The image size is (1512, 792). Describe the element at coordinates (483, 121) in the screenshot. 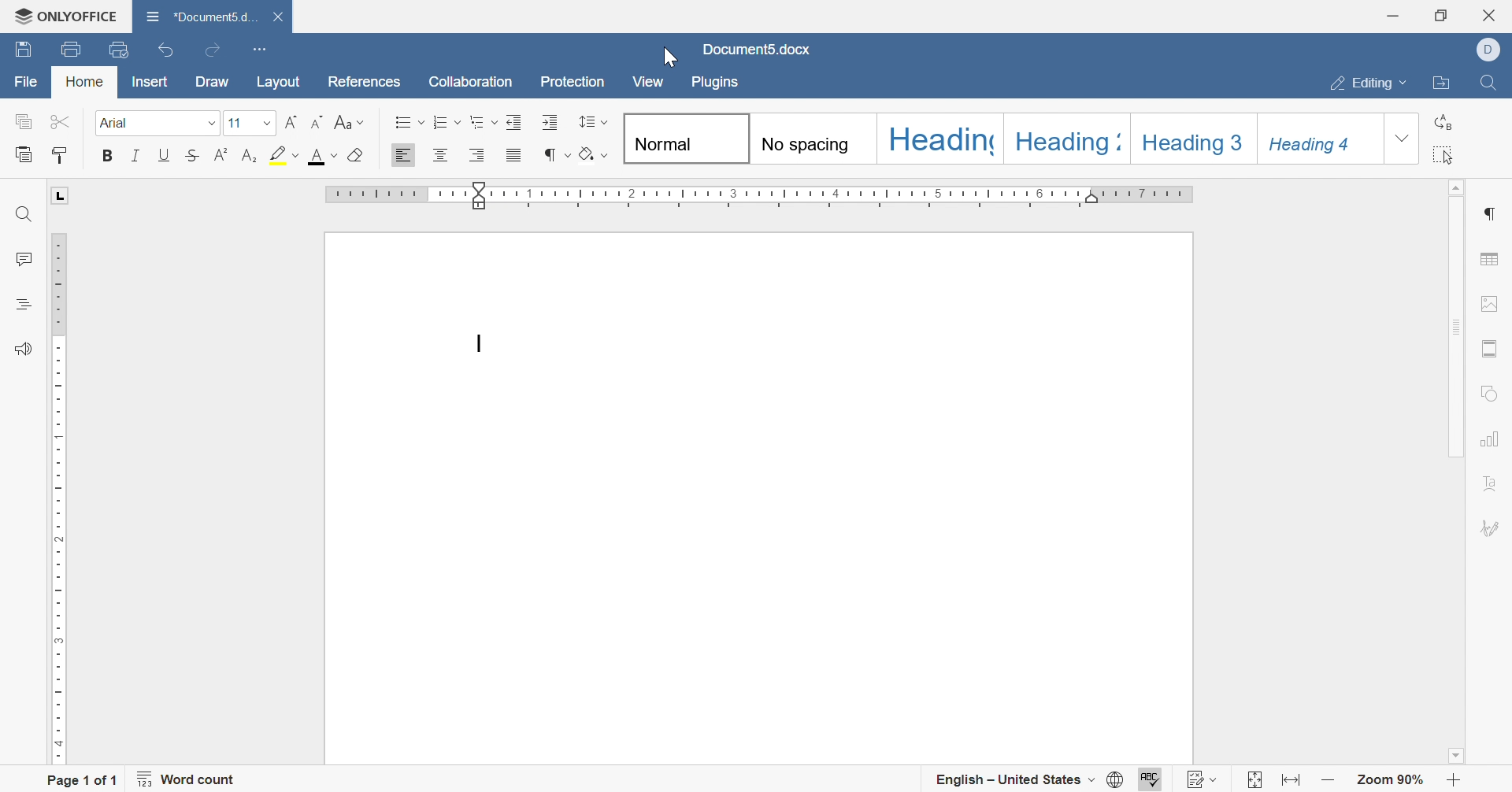

I see `multilevel list` at that location.